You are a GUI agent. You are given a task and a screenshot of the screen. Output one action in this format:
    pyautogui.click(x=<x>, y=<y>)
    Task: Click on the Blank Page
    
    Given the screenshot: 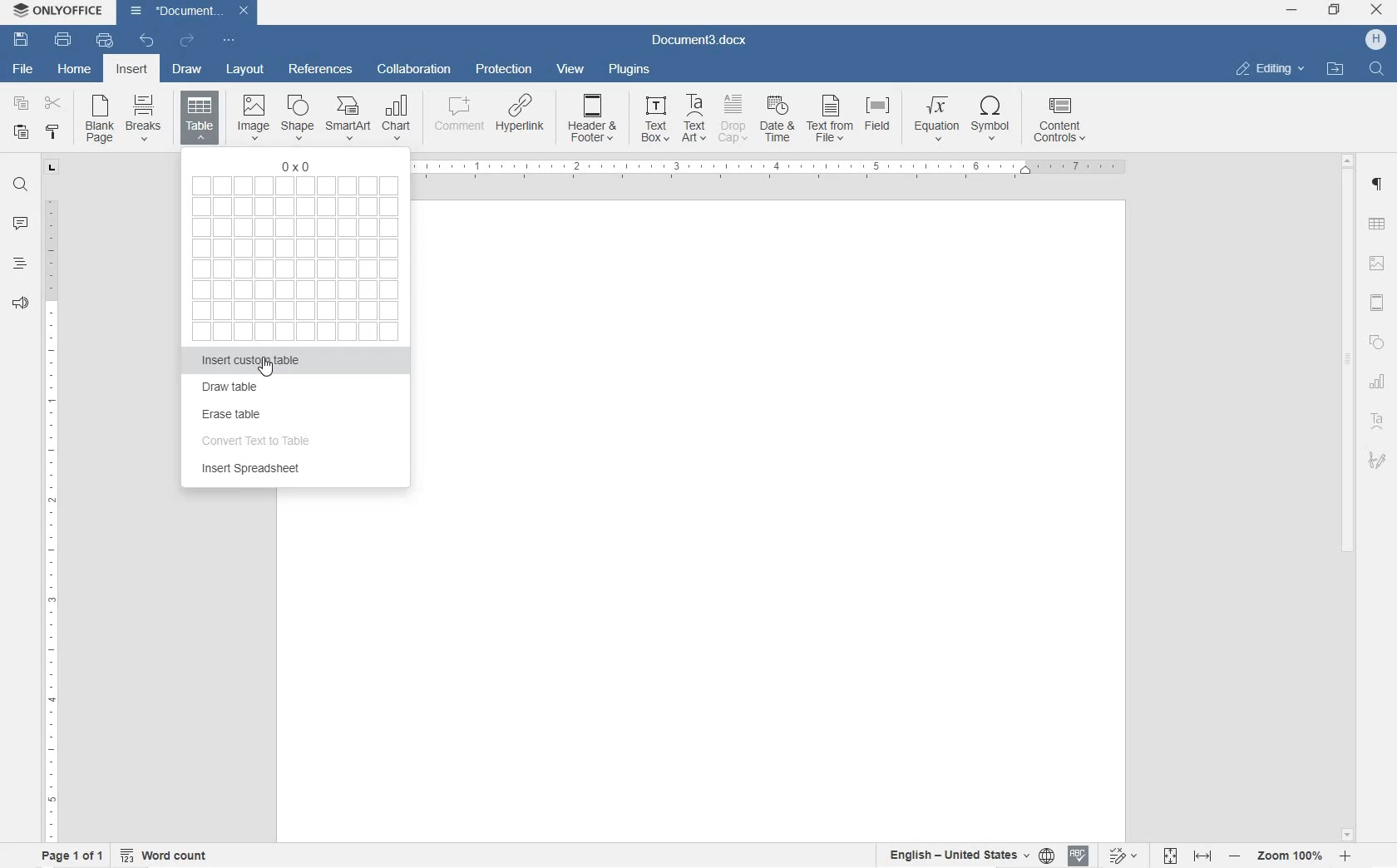 What is the action you would take?
    pyautogui.click(x=100, y=120)
    